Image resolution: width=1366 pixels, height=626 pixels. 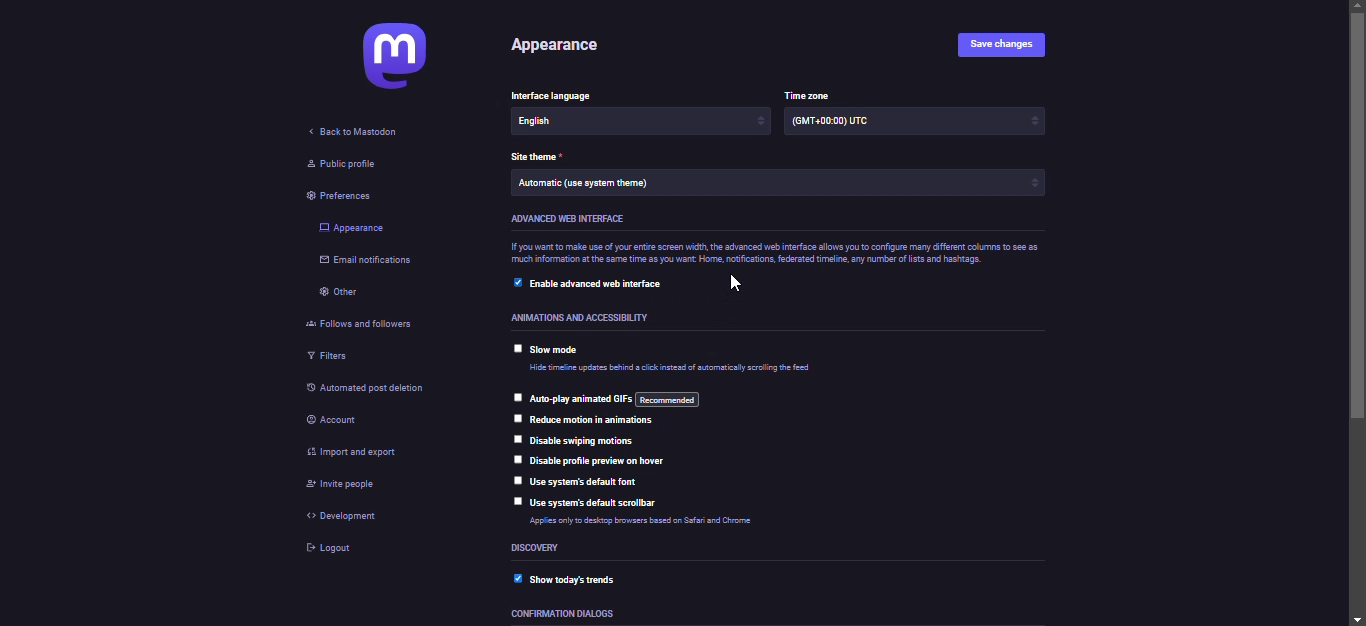 I want to click on development, so click(x=344, y=519).